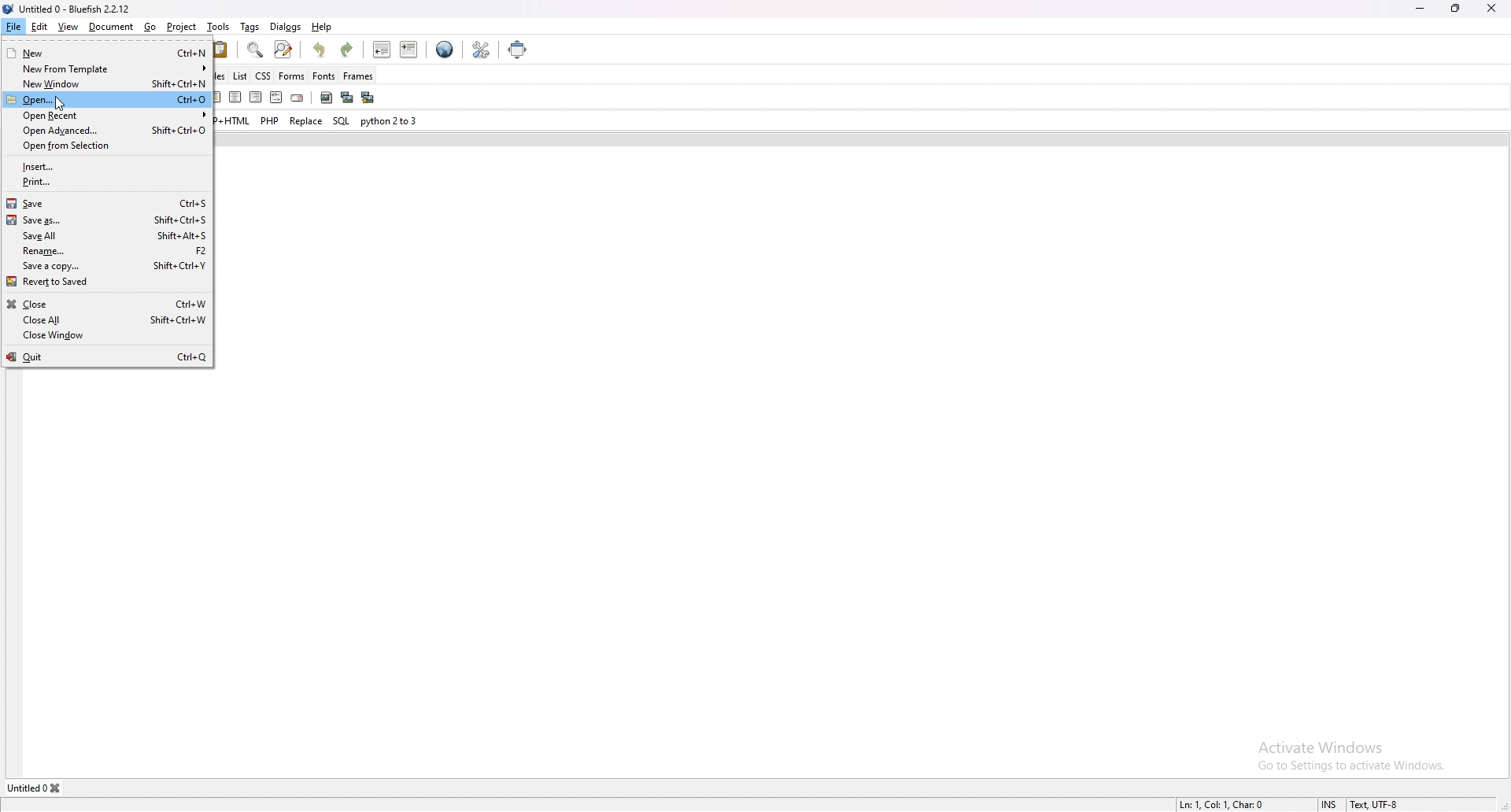 The image size is (1511, 812). I want to click on insert image, so click(327, 98).